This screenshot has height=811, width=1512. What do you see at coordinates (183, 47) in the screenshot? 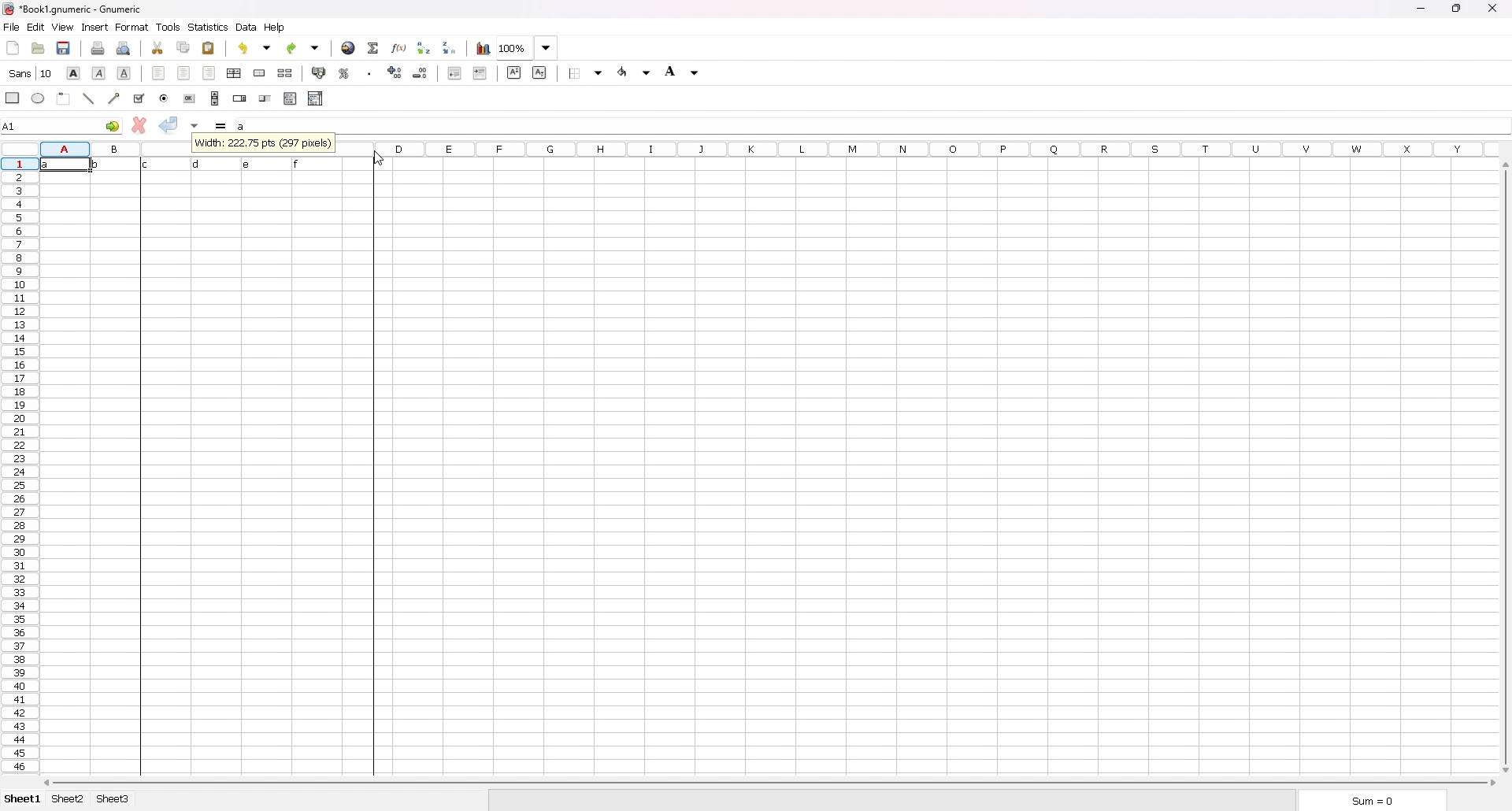
I see `copy` at bounding box center [183, 47].